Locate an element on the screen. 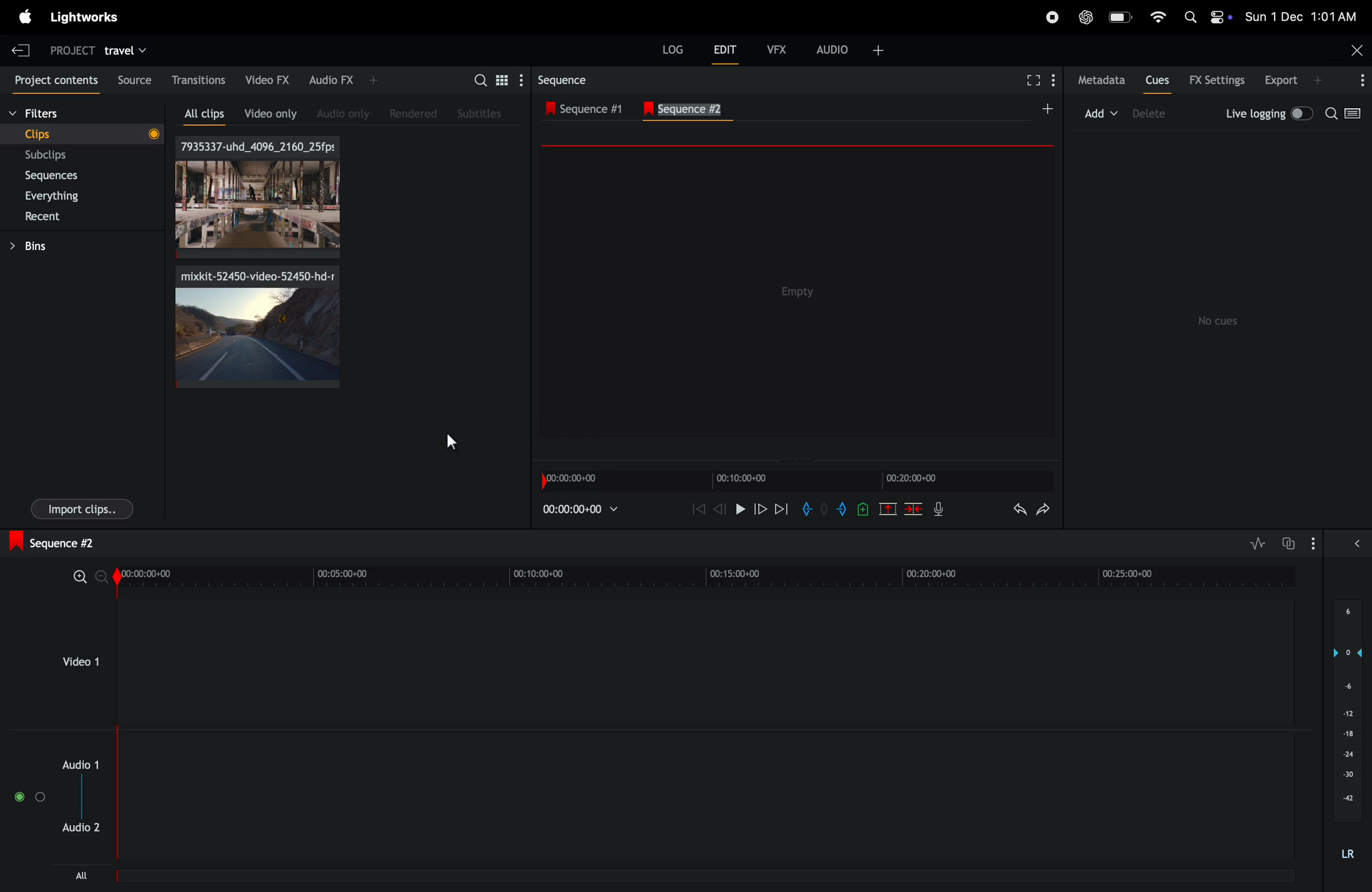  add out is located at coordinates (842, 508).